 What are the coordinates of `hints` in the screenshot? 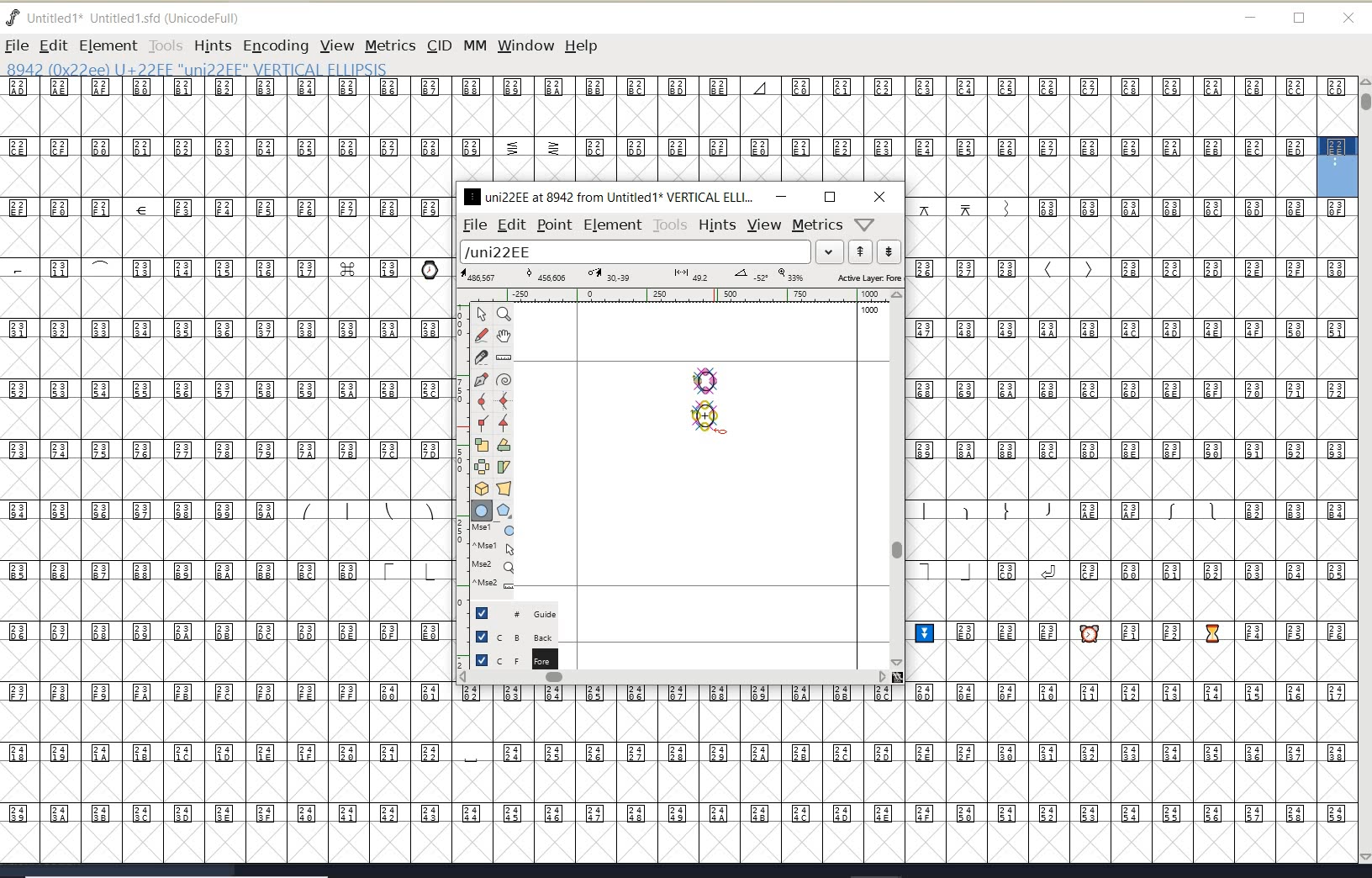 It's located at (716, 225).